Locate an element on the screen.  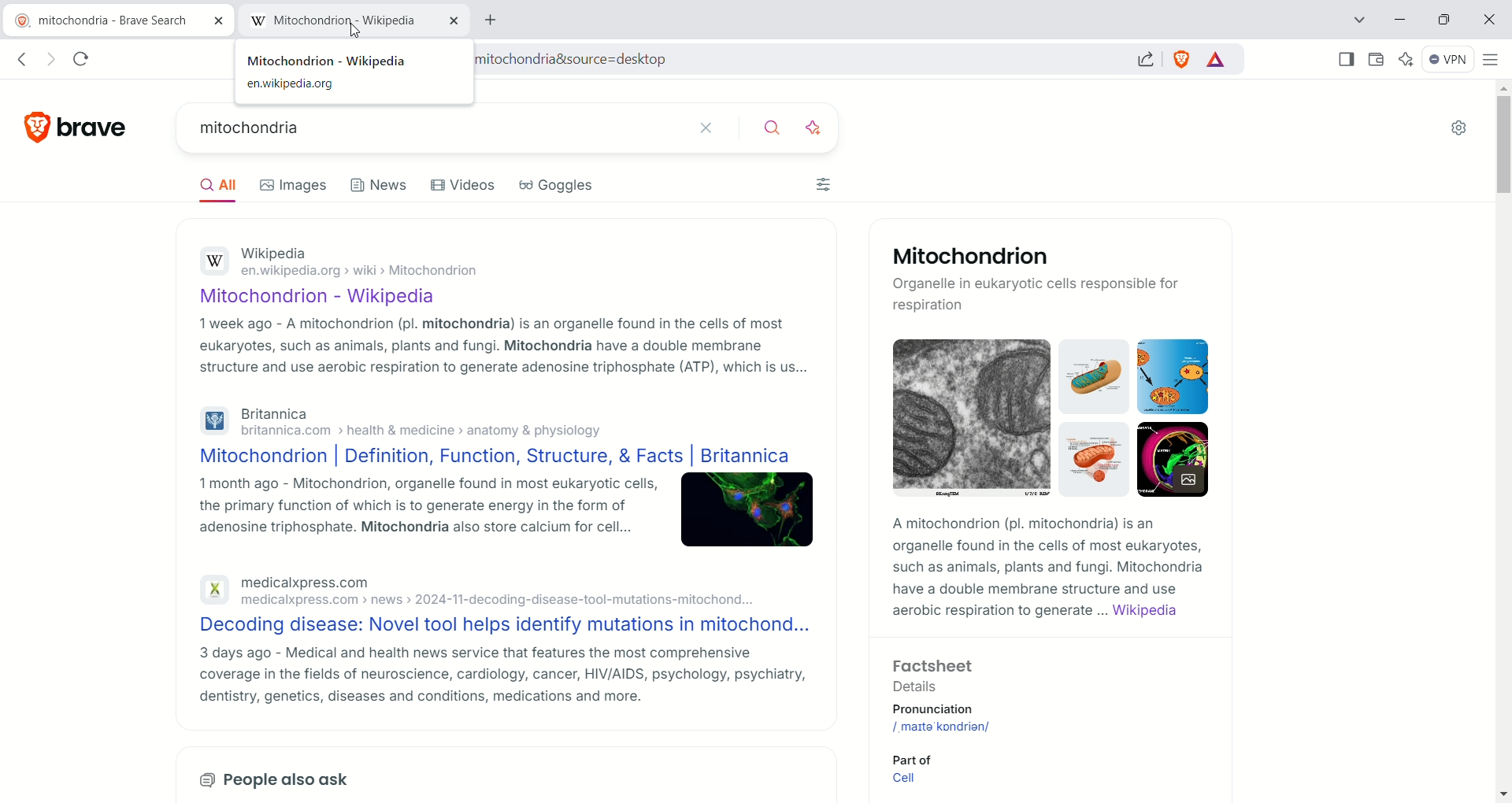
3 days ago - Medical and health news service that features the most comprehensive
coverage in the fields of neuroscience, cardiology, cancer, HIV/AIDS, psychology, psychiatry,
dentistry, genetics, diseases and conditions, medications and more. is located at coordinates (503, 677).